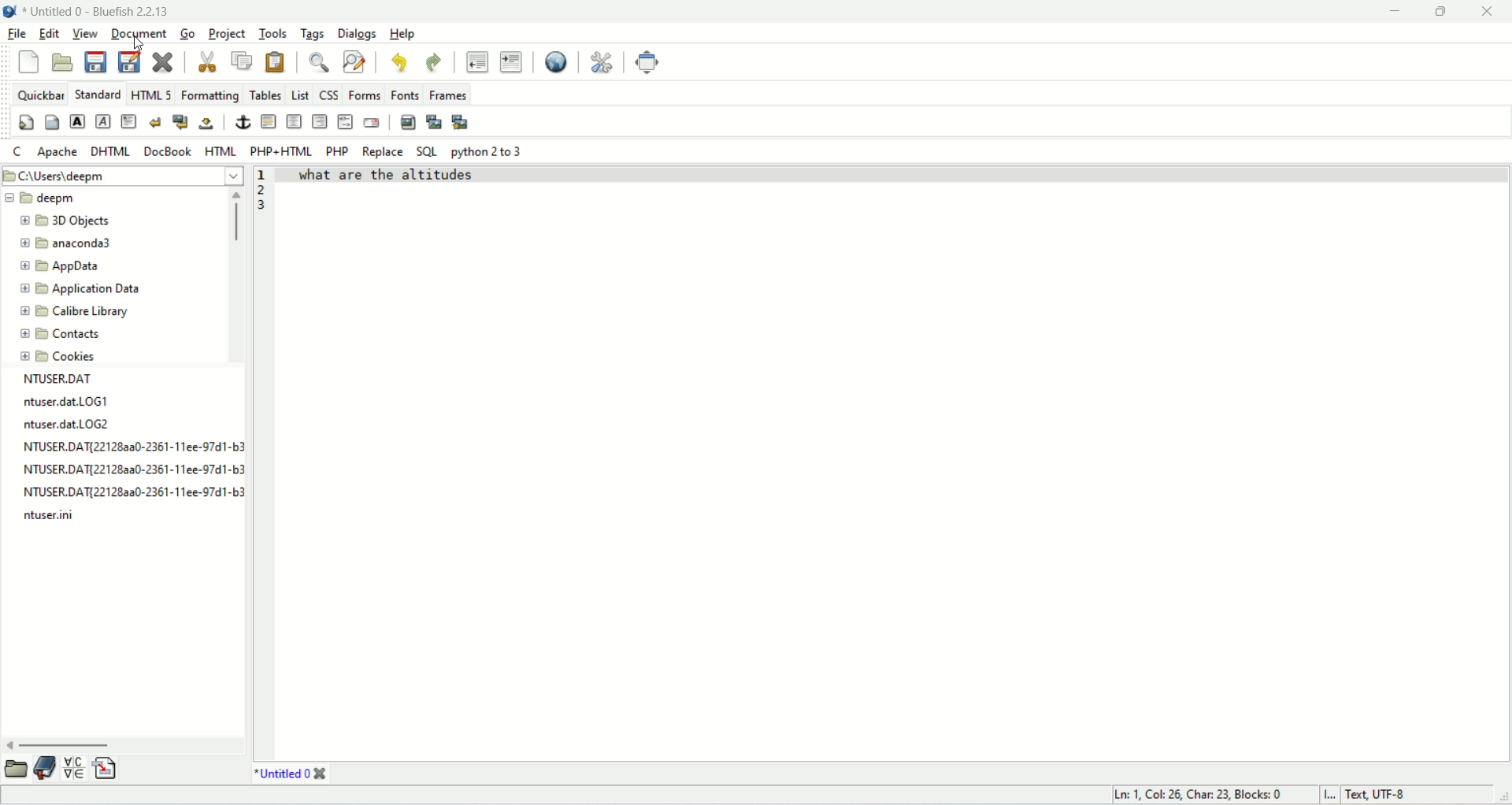 Image resolution: width=1512 pixels, height=805 pixels. What do you see at coordinates (371, 124) in the screenshot?
I see `email` at bounding box center [371, 124].